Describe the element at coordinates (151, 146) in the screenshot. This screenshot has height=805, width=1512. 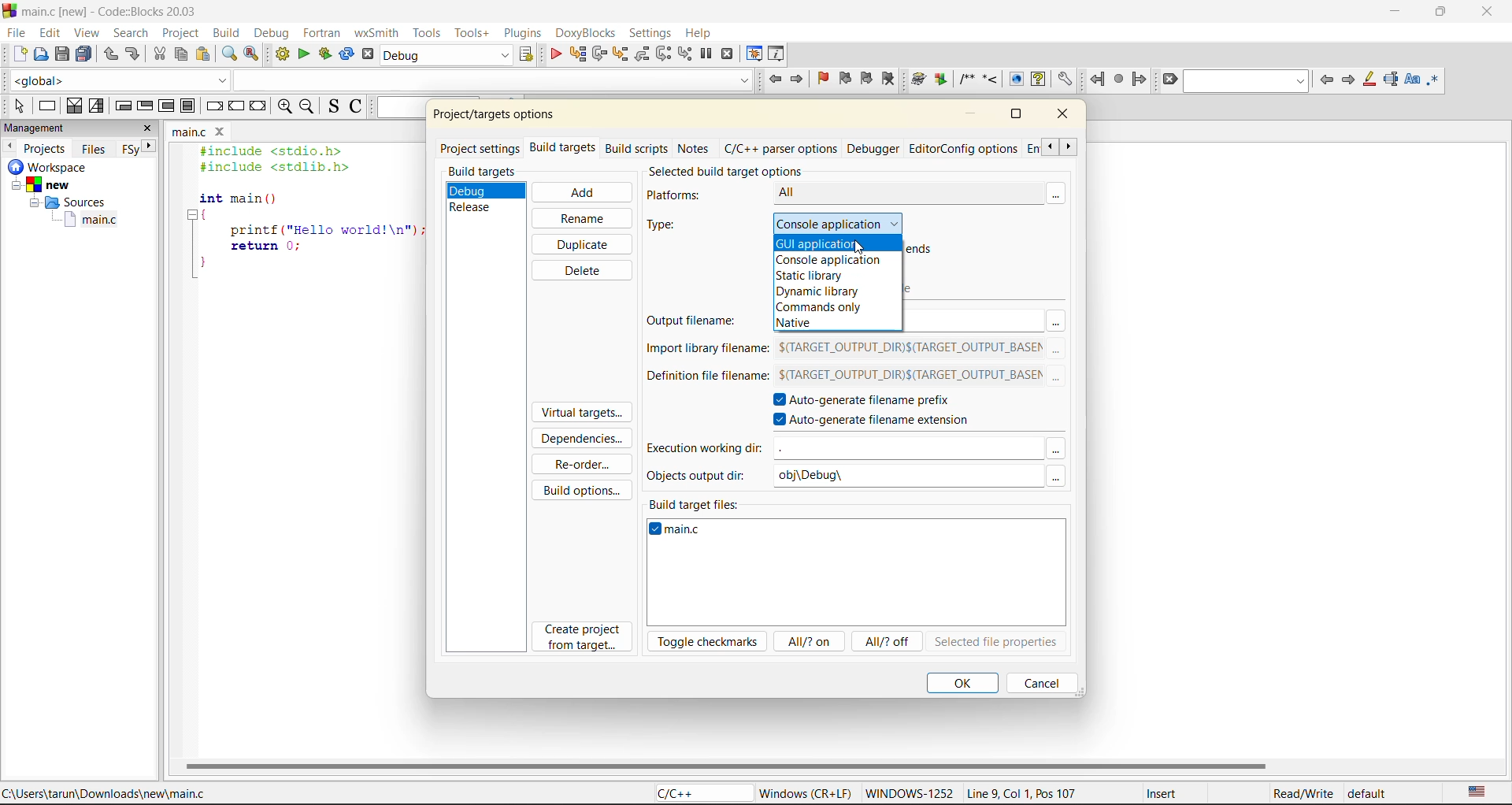
I see `next` at that location.